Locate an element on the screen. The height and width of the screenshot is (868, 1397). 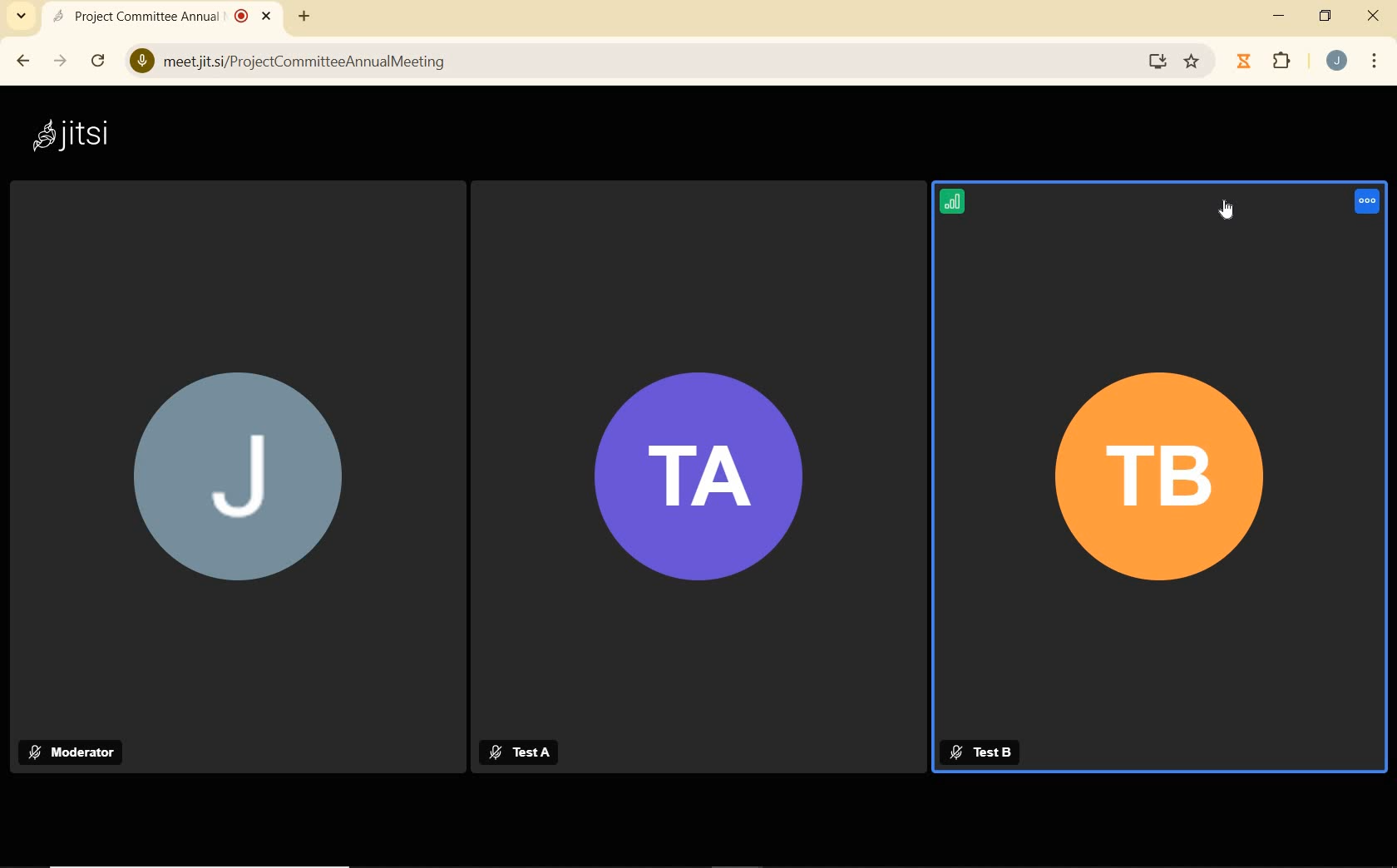
ACCOUNT is located at coordinates (1336, 62).